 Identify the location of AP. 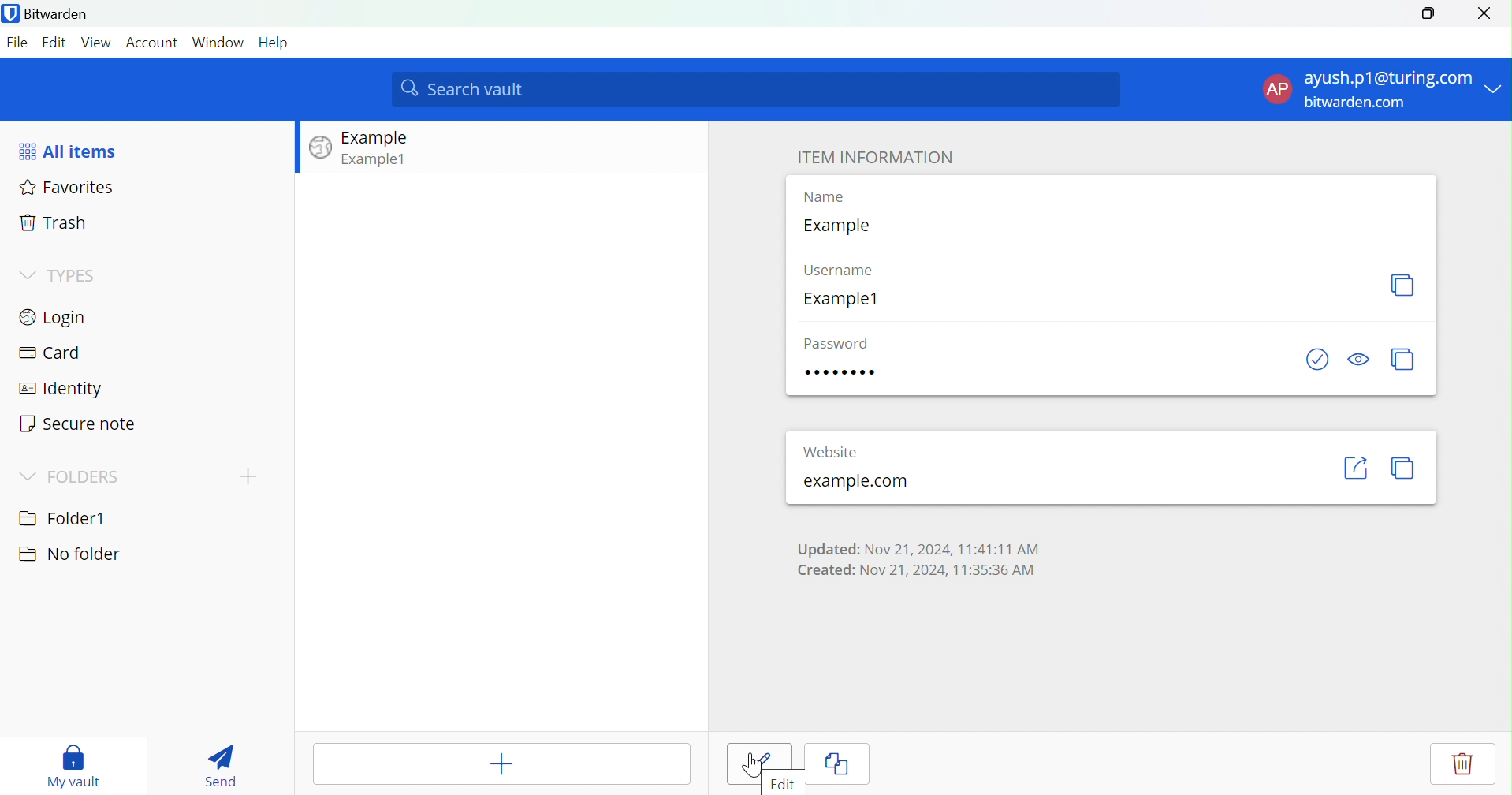
(1277, 90).